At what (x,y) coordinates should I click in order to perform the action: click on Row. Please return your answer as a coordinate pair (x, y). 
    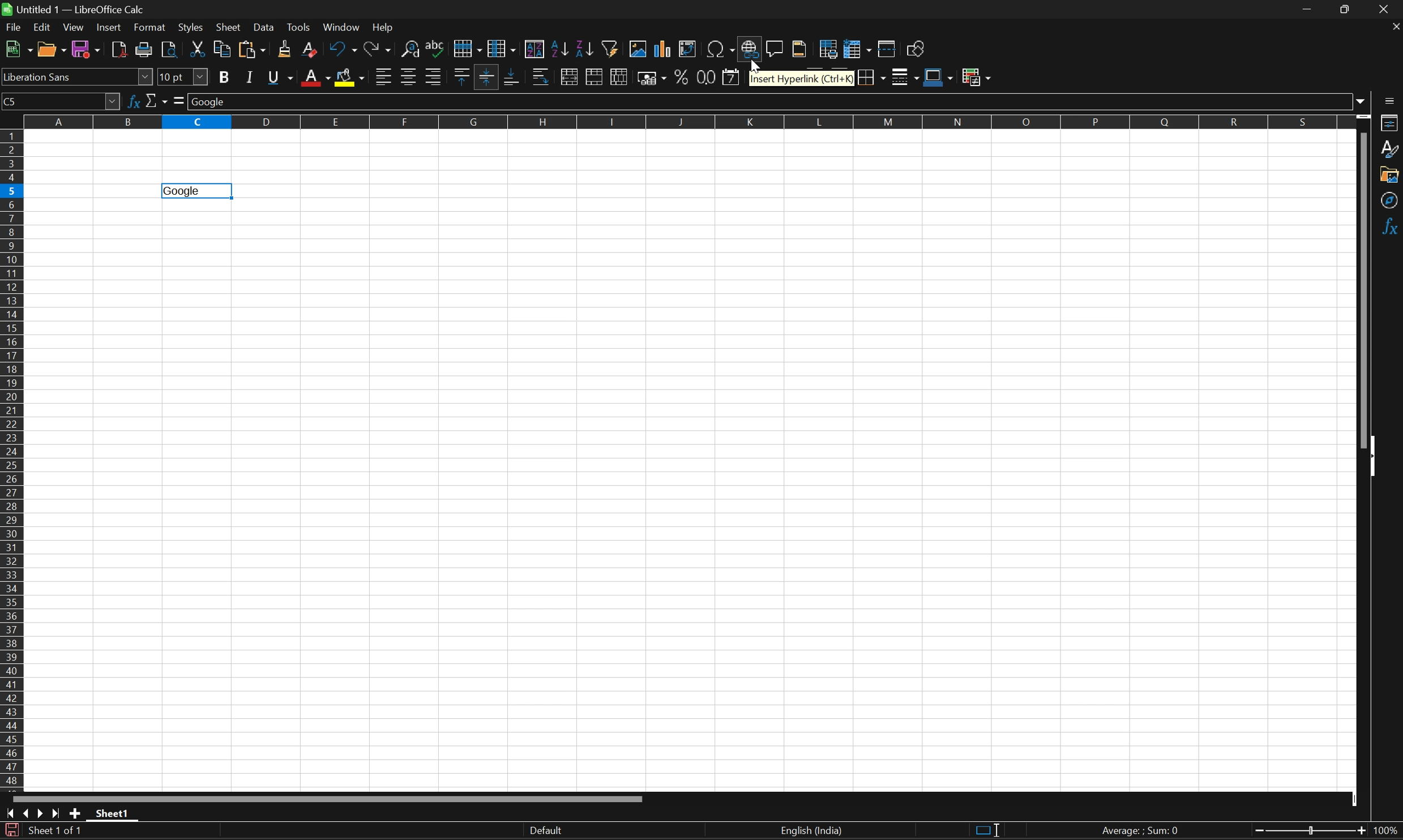
    Looking at the image, I should click on (467, 45).